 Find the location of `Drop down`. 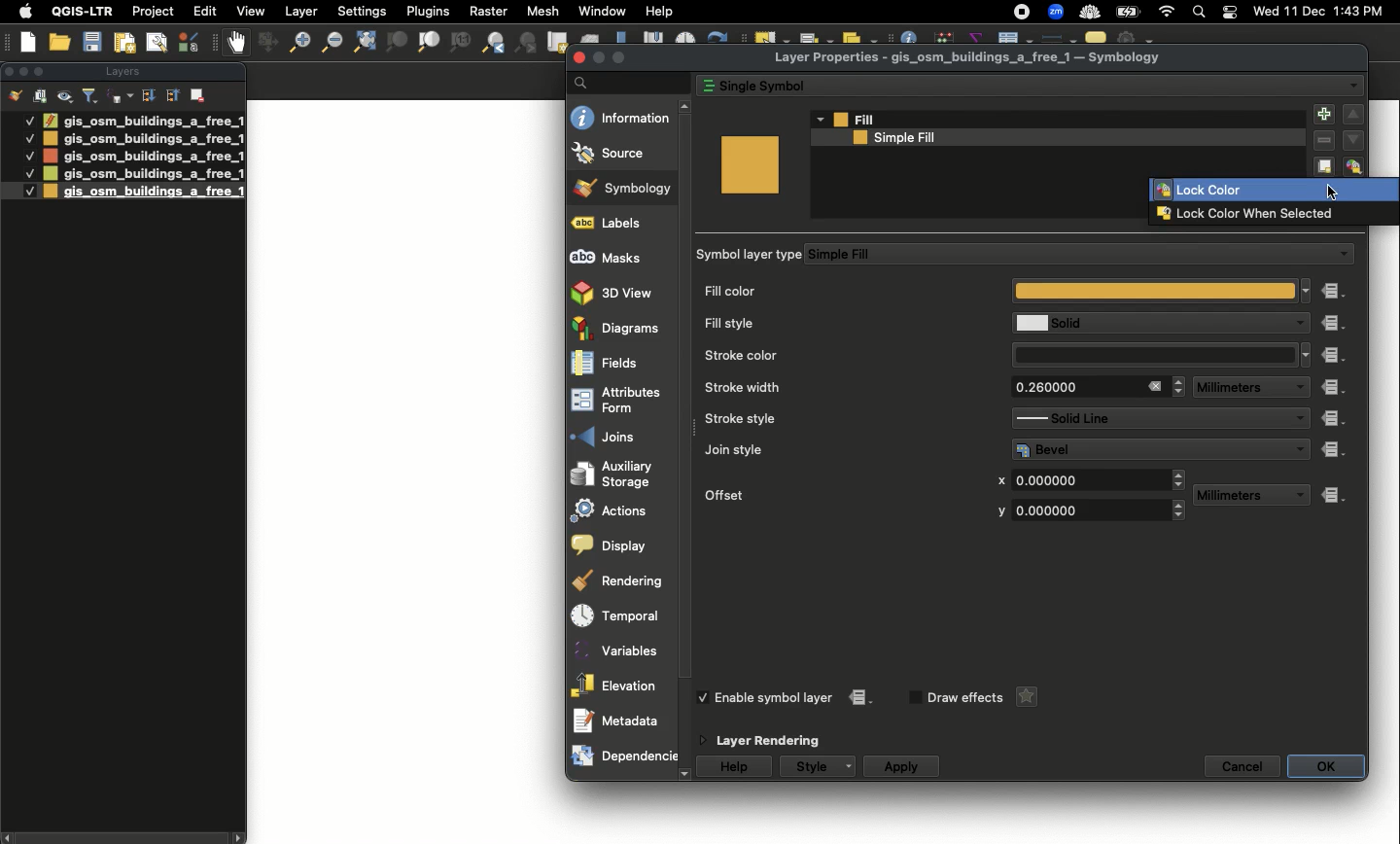

Drop down is located at coordinates (1296, 324).